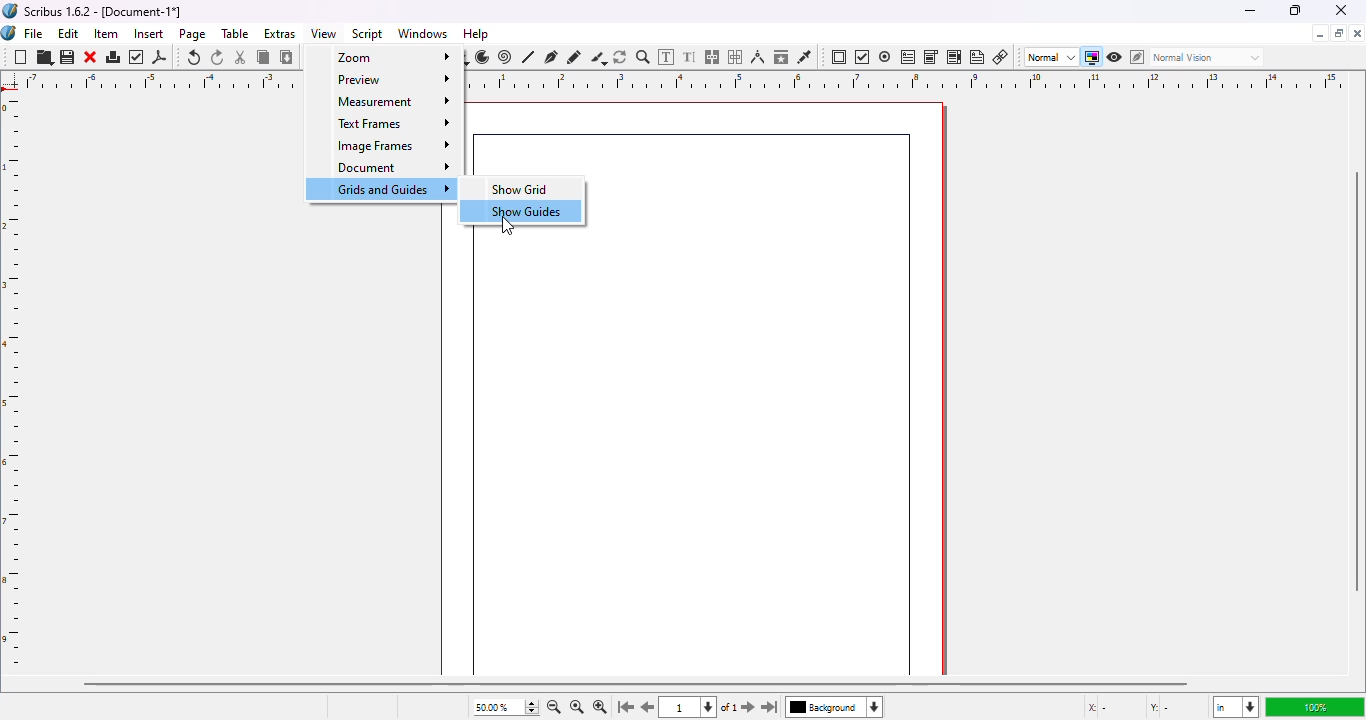 This screenshot has width=1366, height=720. I want to click on normal, so click(1050, 57).